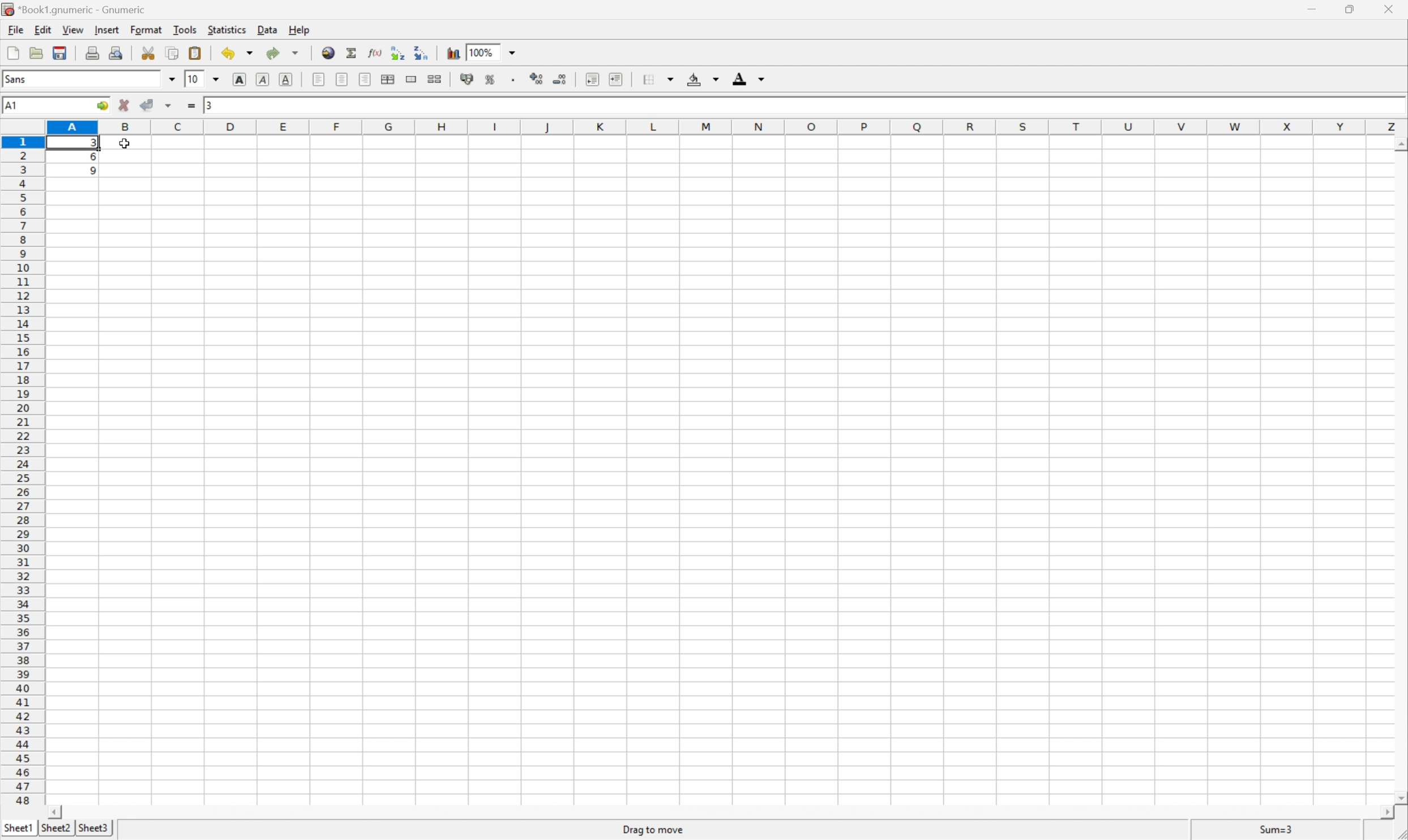 This screenshot has width=1408, height=840. What do you see at coordinates (422, 53) in the screenshot?
I see `Sort the selected region in descending order based on the first column selected` at bounding box center [422, 53].